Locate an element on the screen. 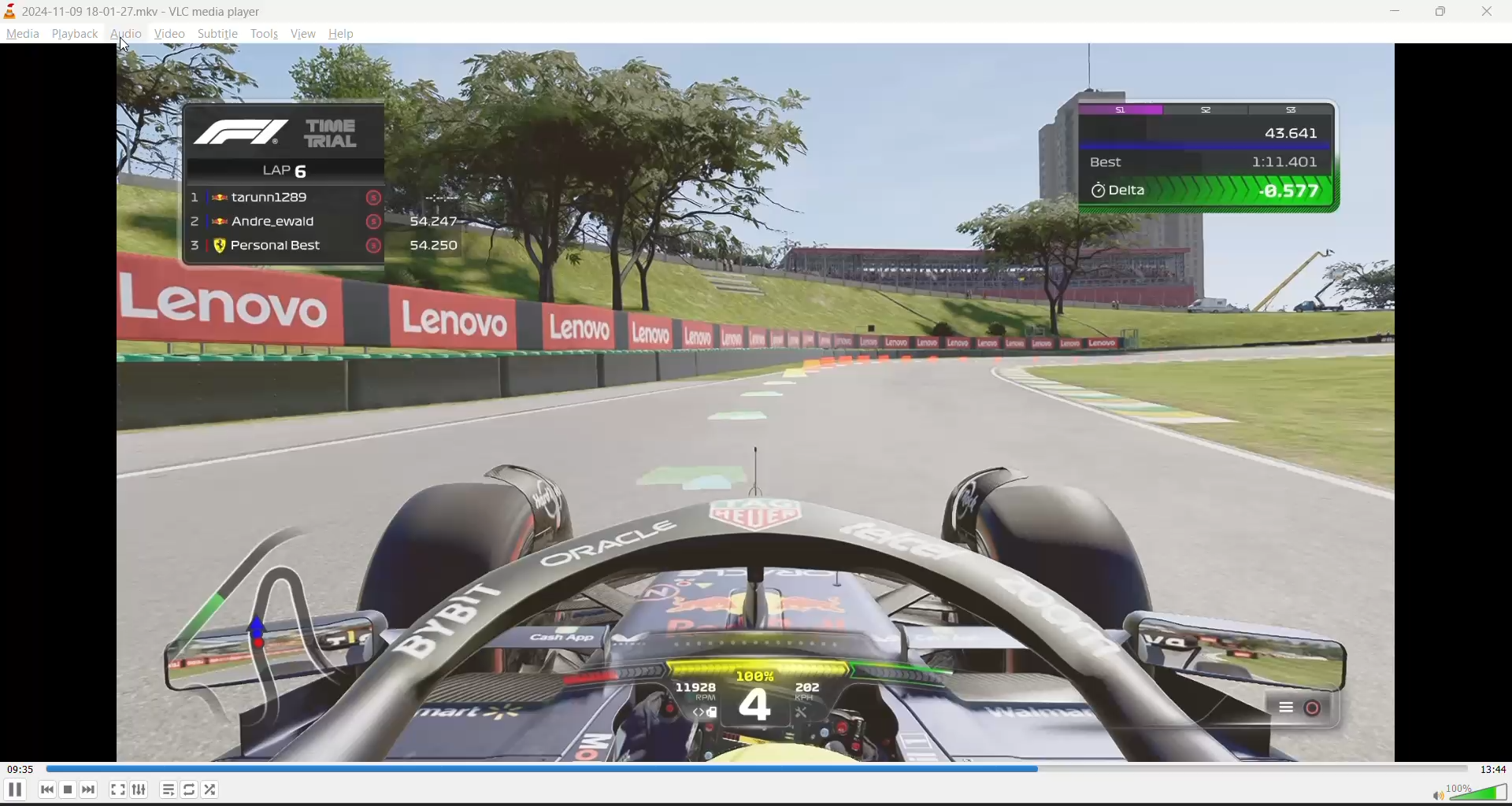  track slider is located at coordinates (756, 768).